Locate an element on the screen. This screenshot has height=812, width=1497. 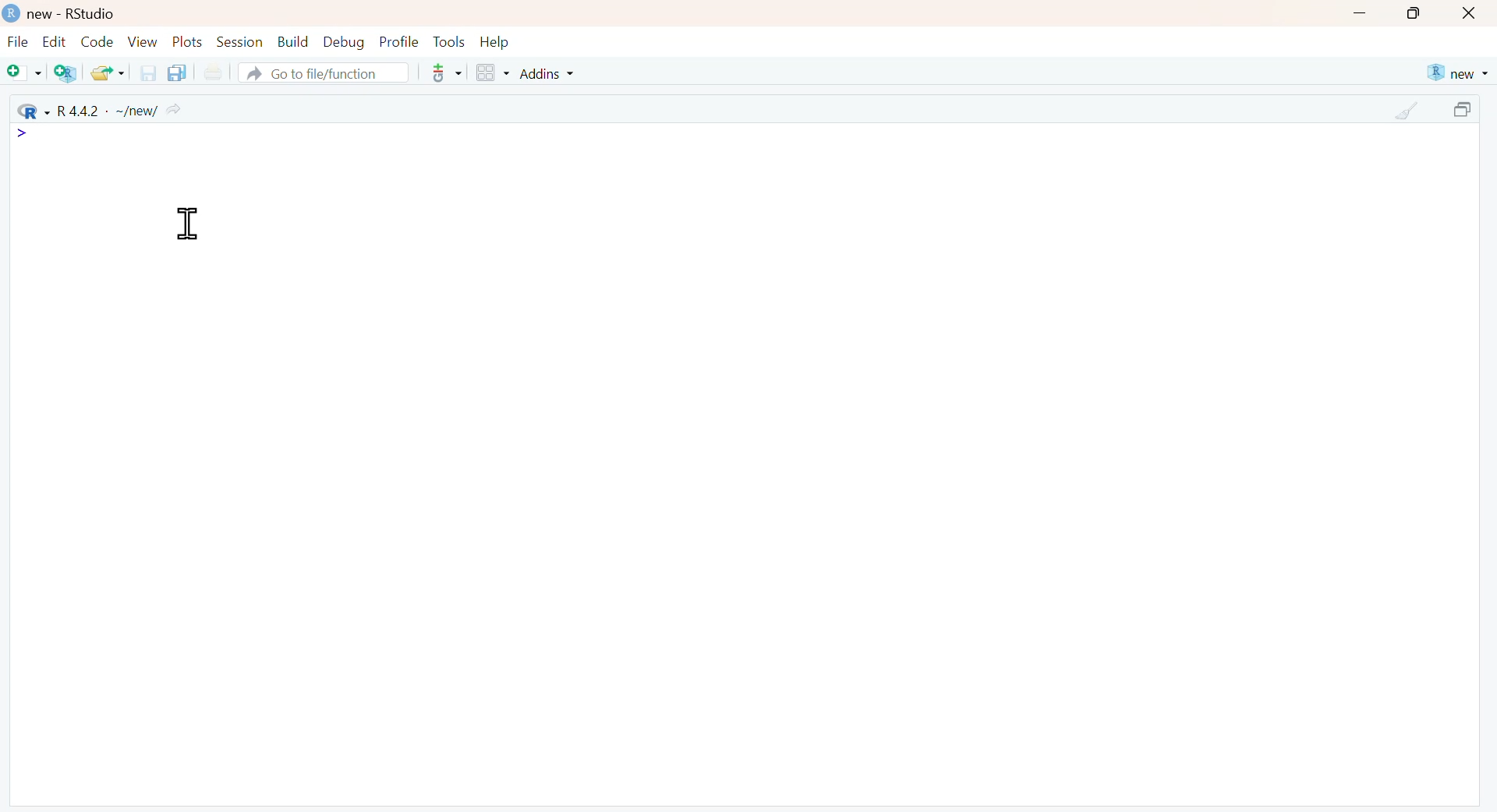
minimize is located at coordinates (1361, 12).